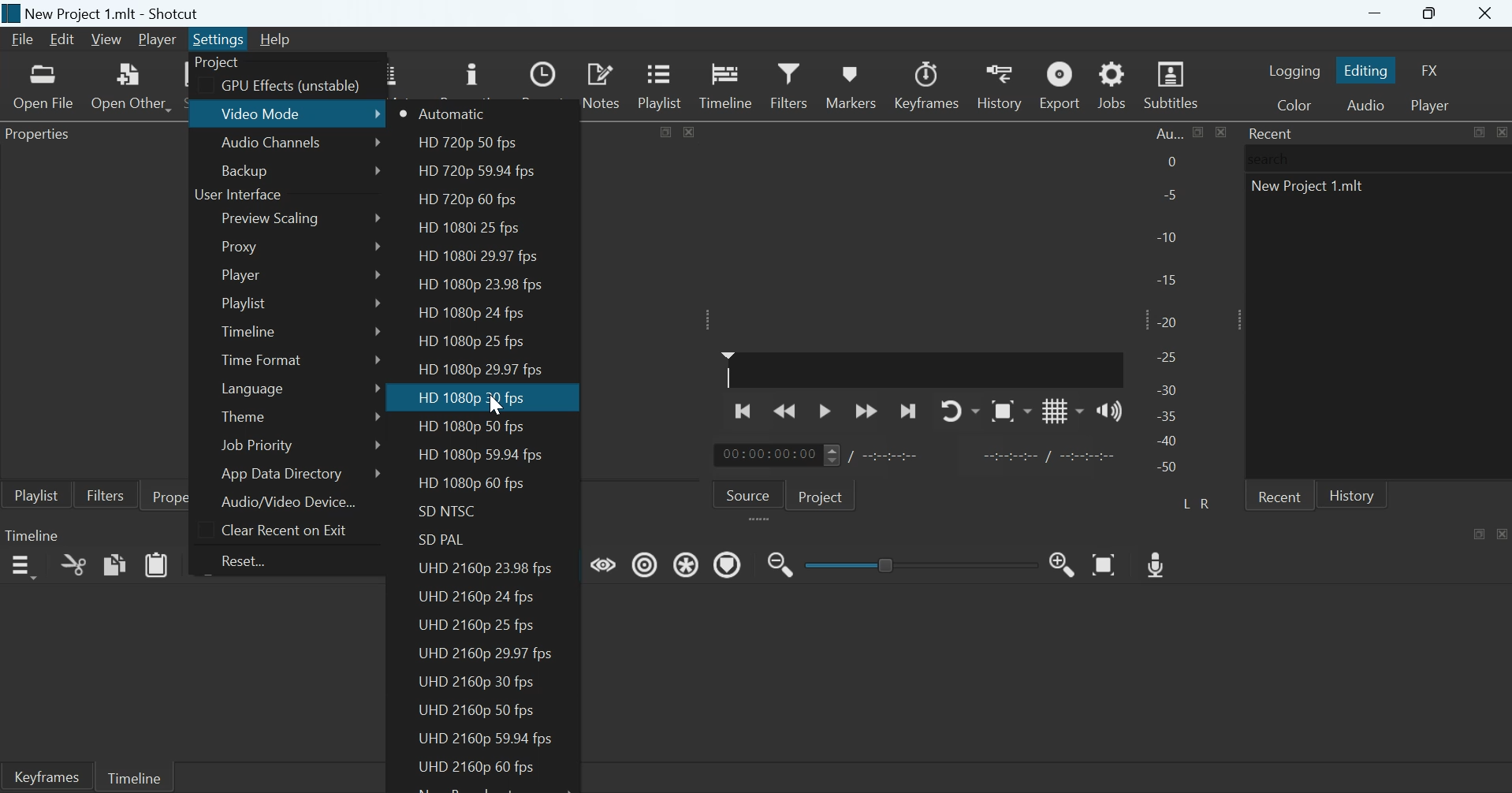  Describe the element at coordinates (728, 564) in the screenshot. I see `Ripple markers` at that location.